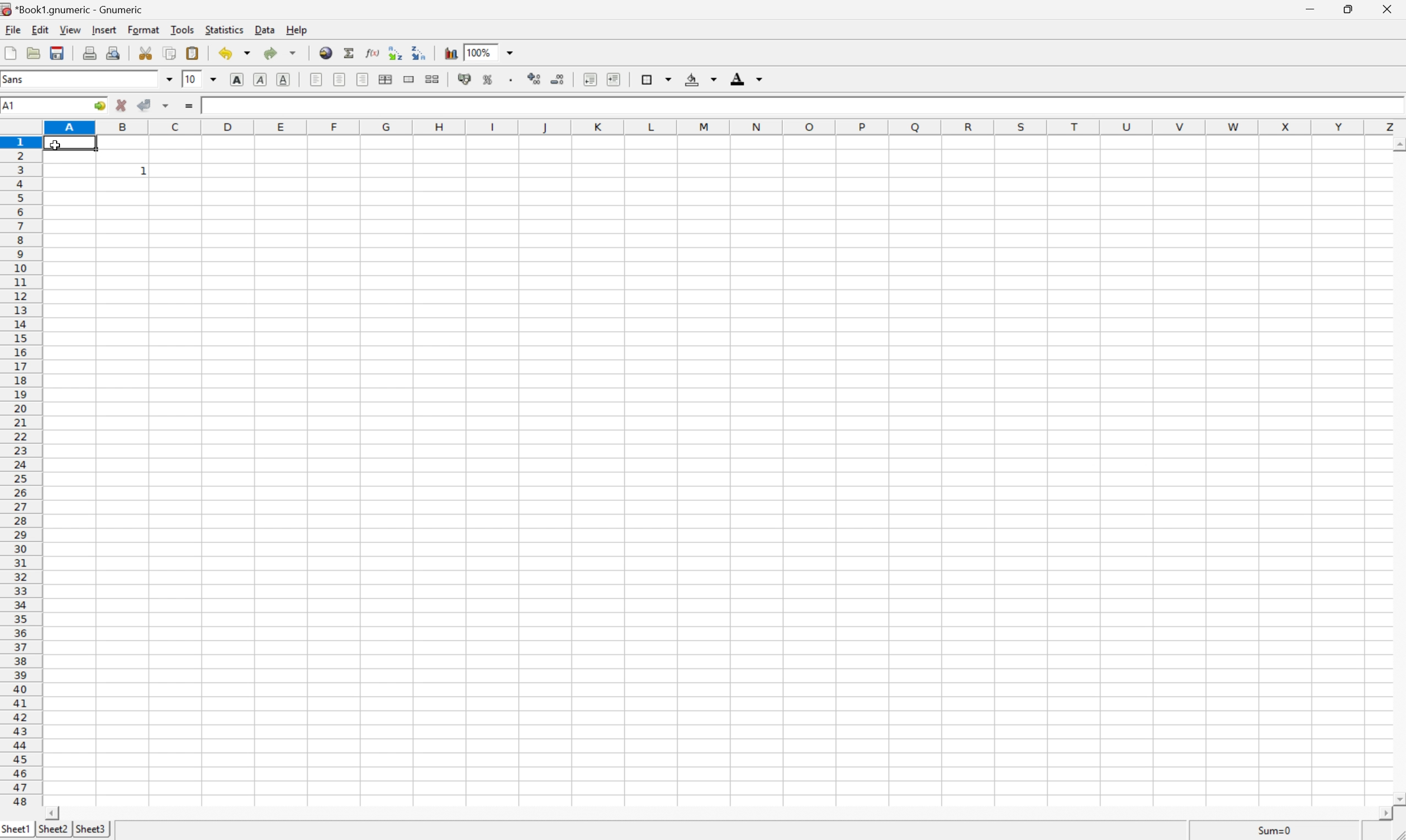 This screenshot has width=1406, height=840. Describe the element at coordinates (90, 52) in the screenshot. I see `print current file` at that location.